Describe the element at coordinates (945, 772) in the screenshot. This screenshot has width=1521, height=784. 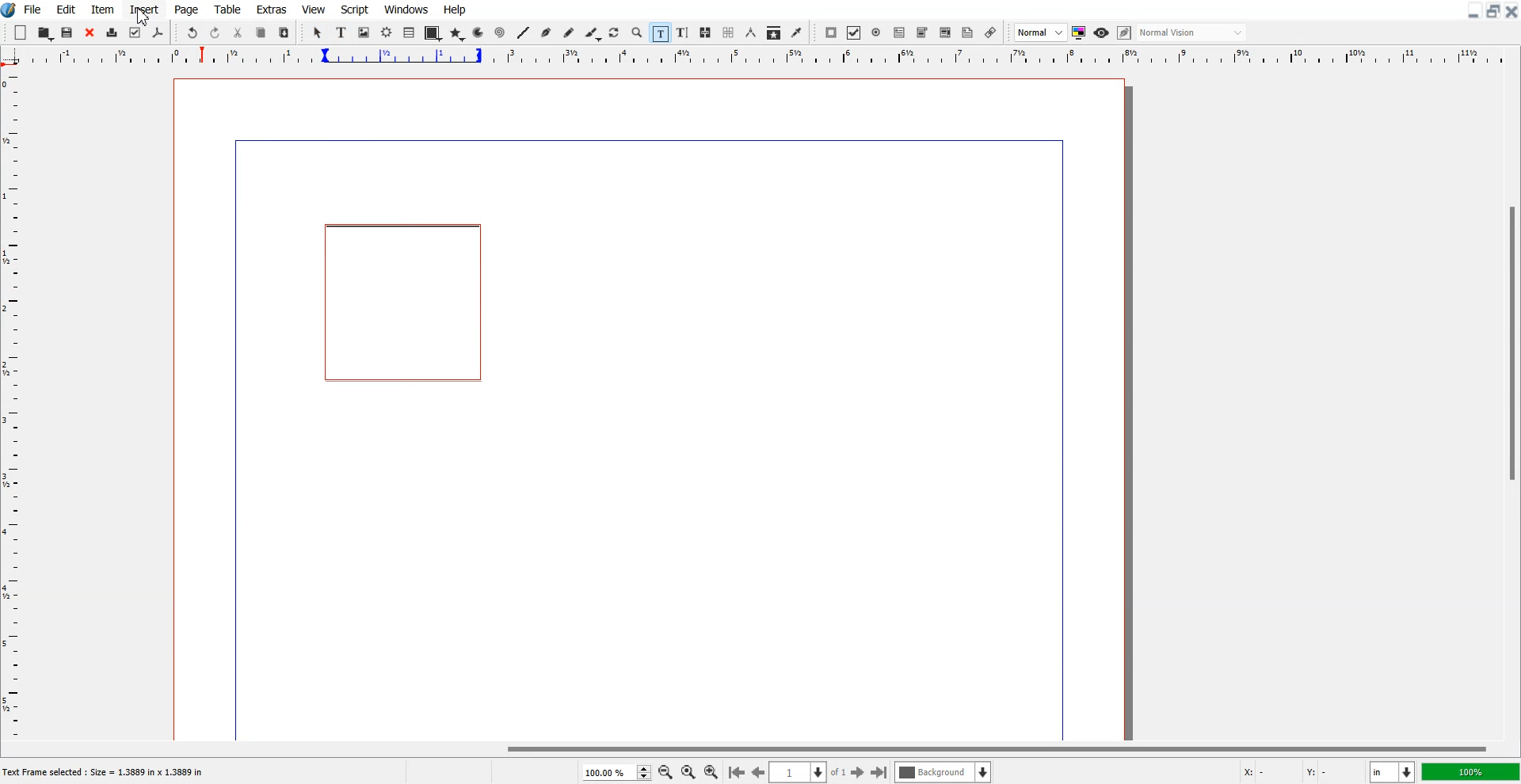
I see `Select the current layer` at that location.